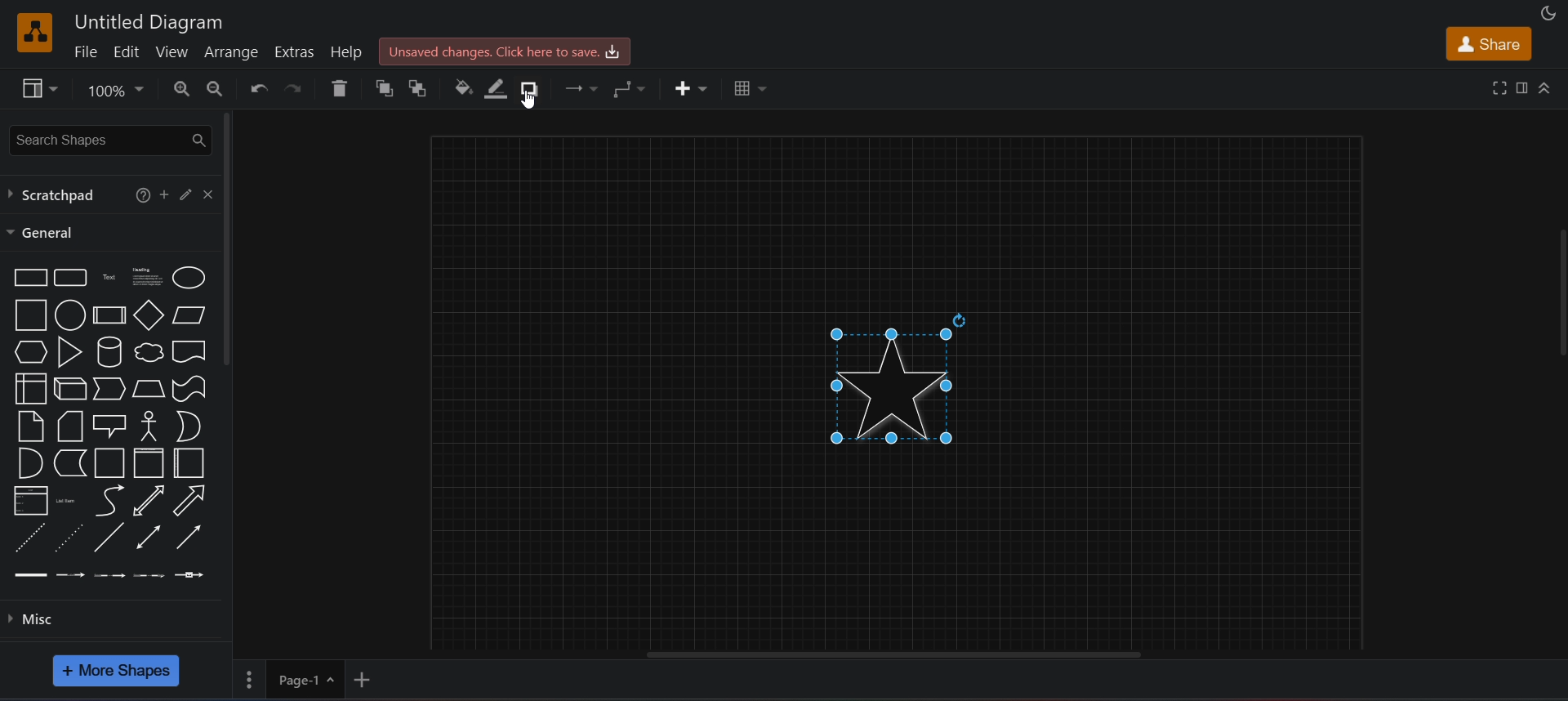 Image resolution: width=1568 pixels, height=701 pixels. I want to click on arrow, so click(193, 501).